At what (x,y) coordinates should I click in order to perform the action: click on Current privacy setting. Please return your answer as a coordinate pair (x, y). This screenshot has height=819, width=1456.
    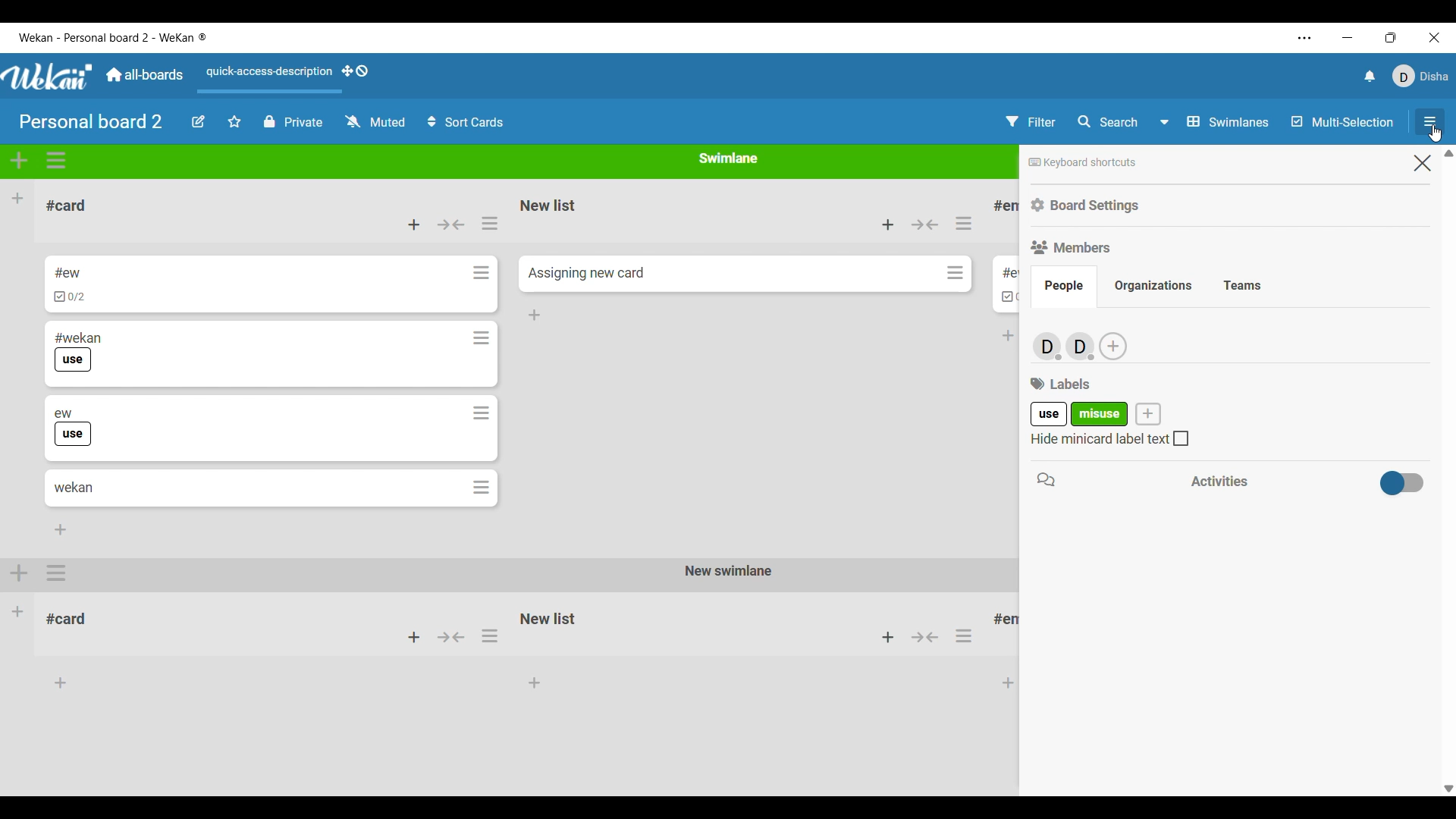
    Looking at the image, I should click on (293, 122).